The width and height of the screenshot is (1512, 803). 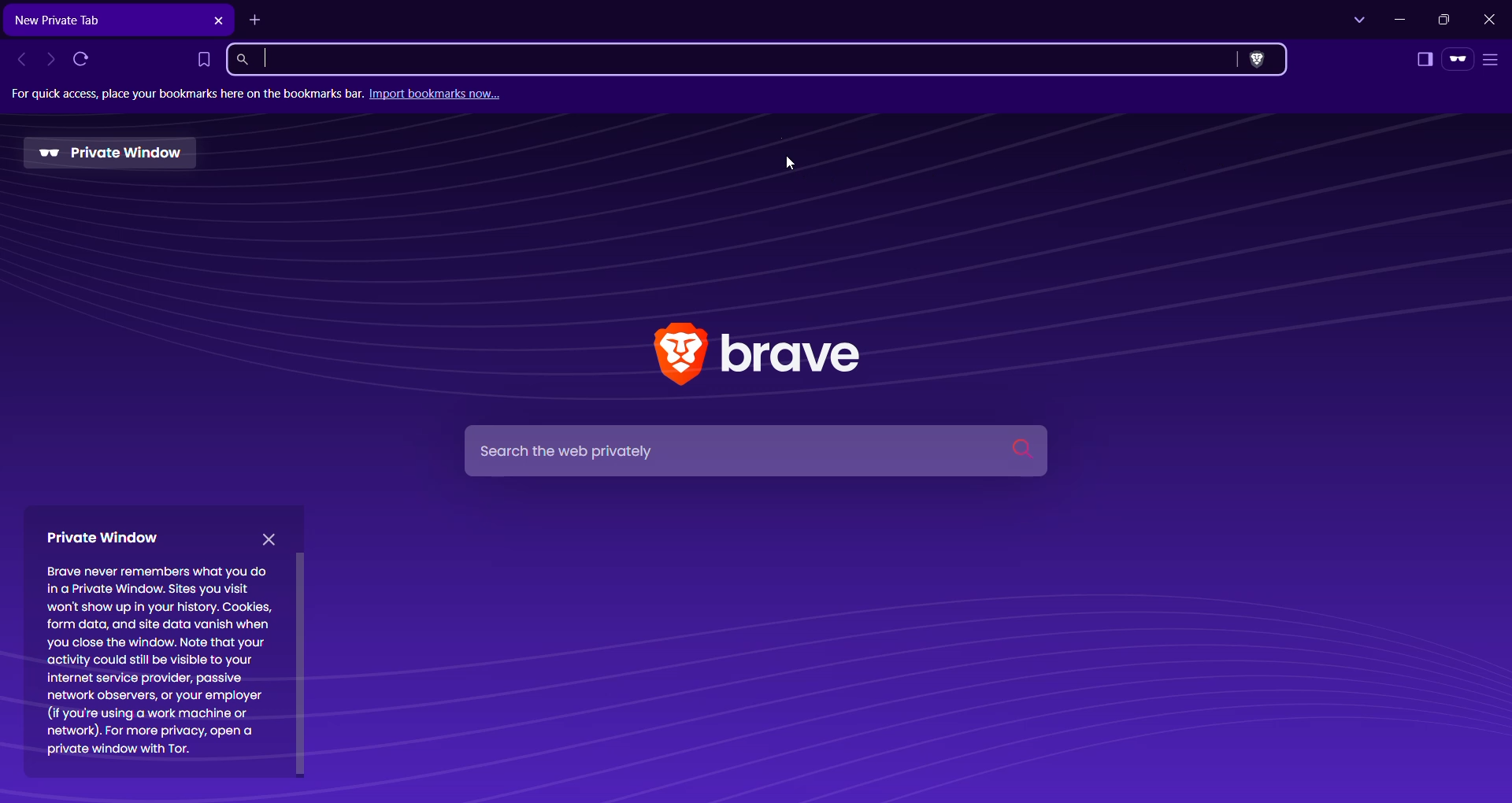 I want to click on Search Bar, so click(x=753, y=452).